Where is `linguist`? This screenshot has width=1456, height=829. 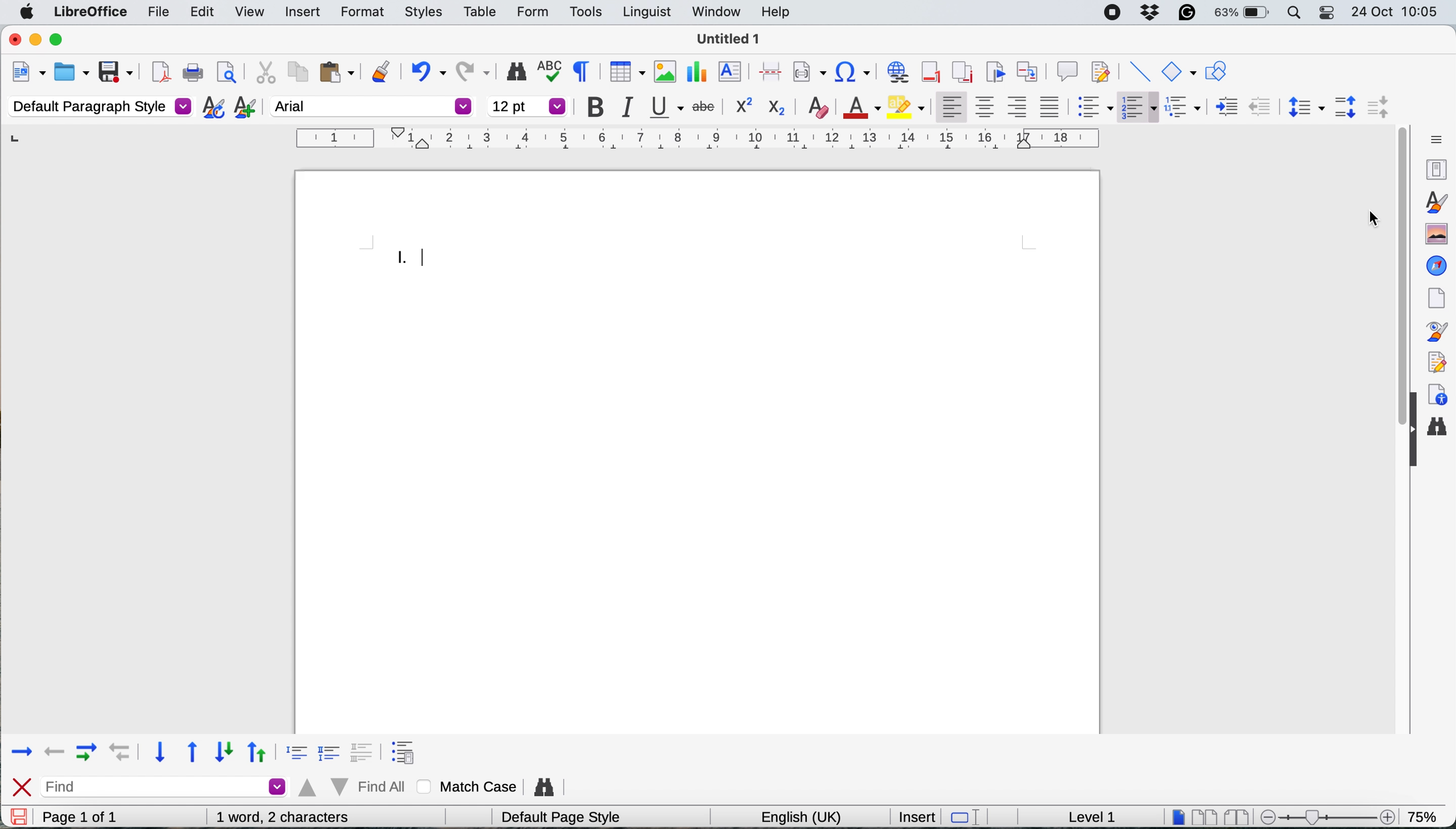
linguist is located at coordinates (645, 13).